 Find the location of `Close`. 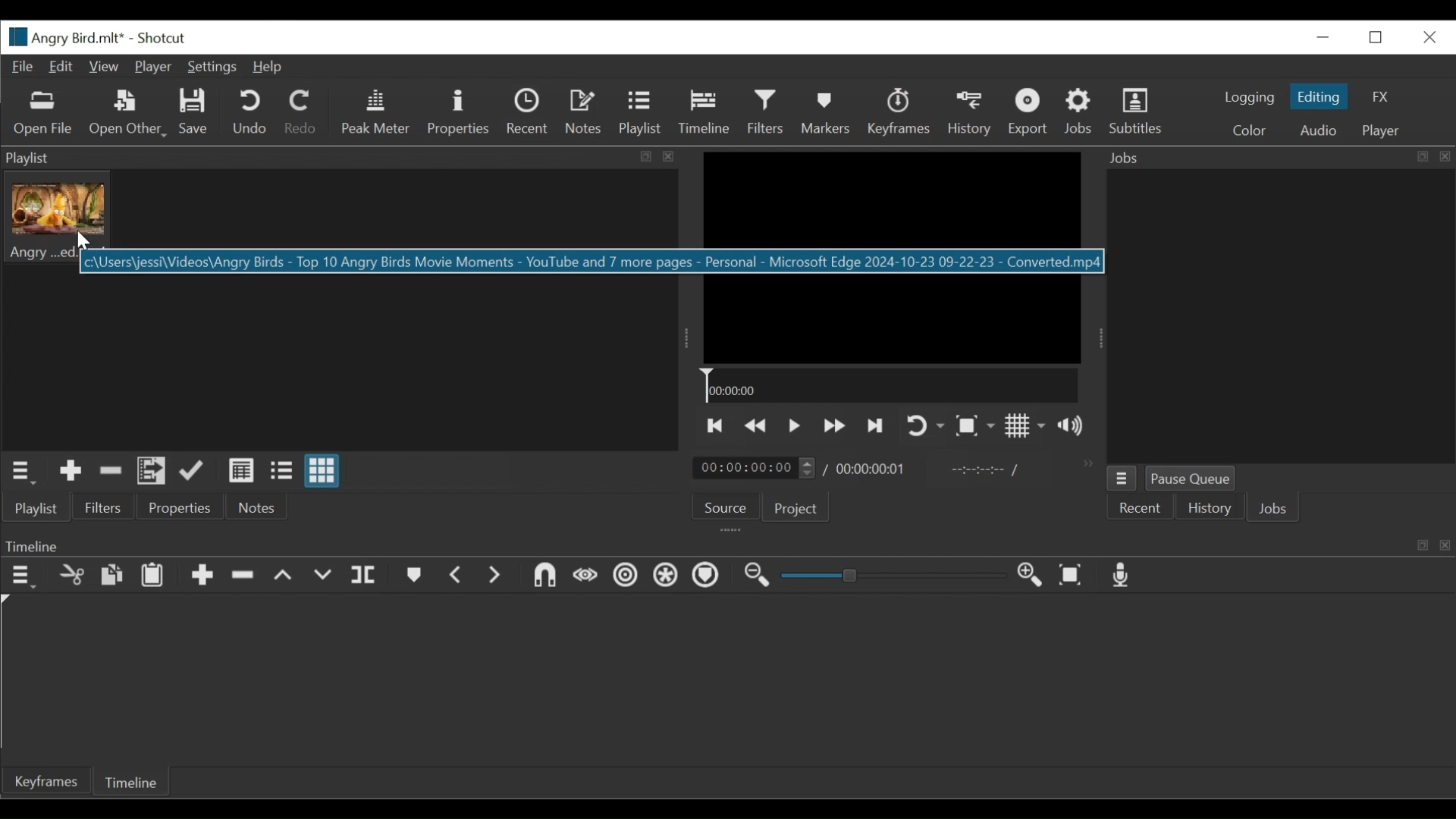

Close is located at coordinates (1430, 38).